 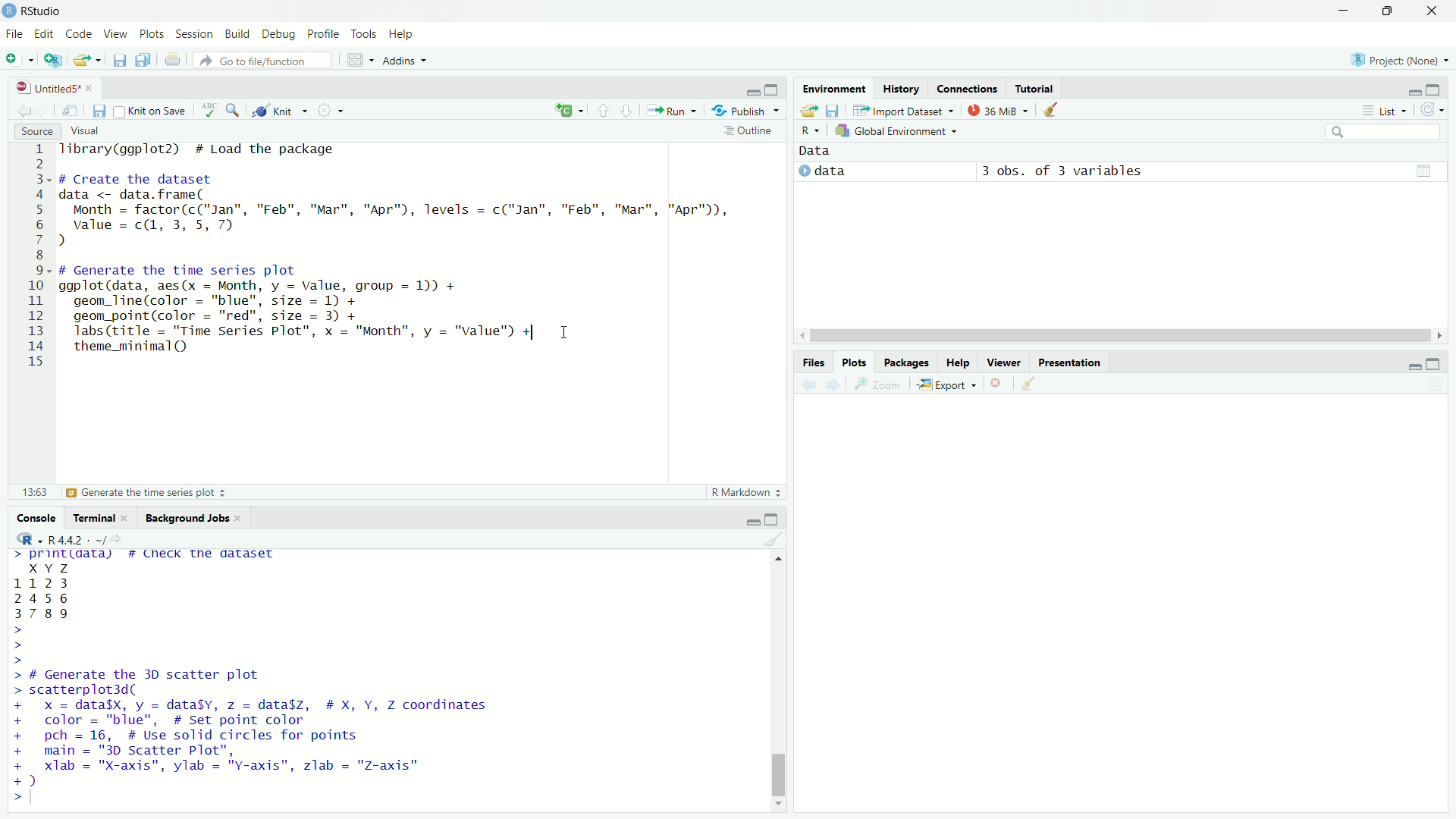 What do you see at coordinates (1382, 132) in the screenshot?
I see `search field` at bounding box center [1382, 132].